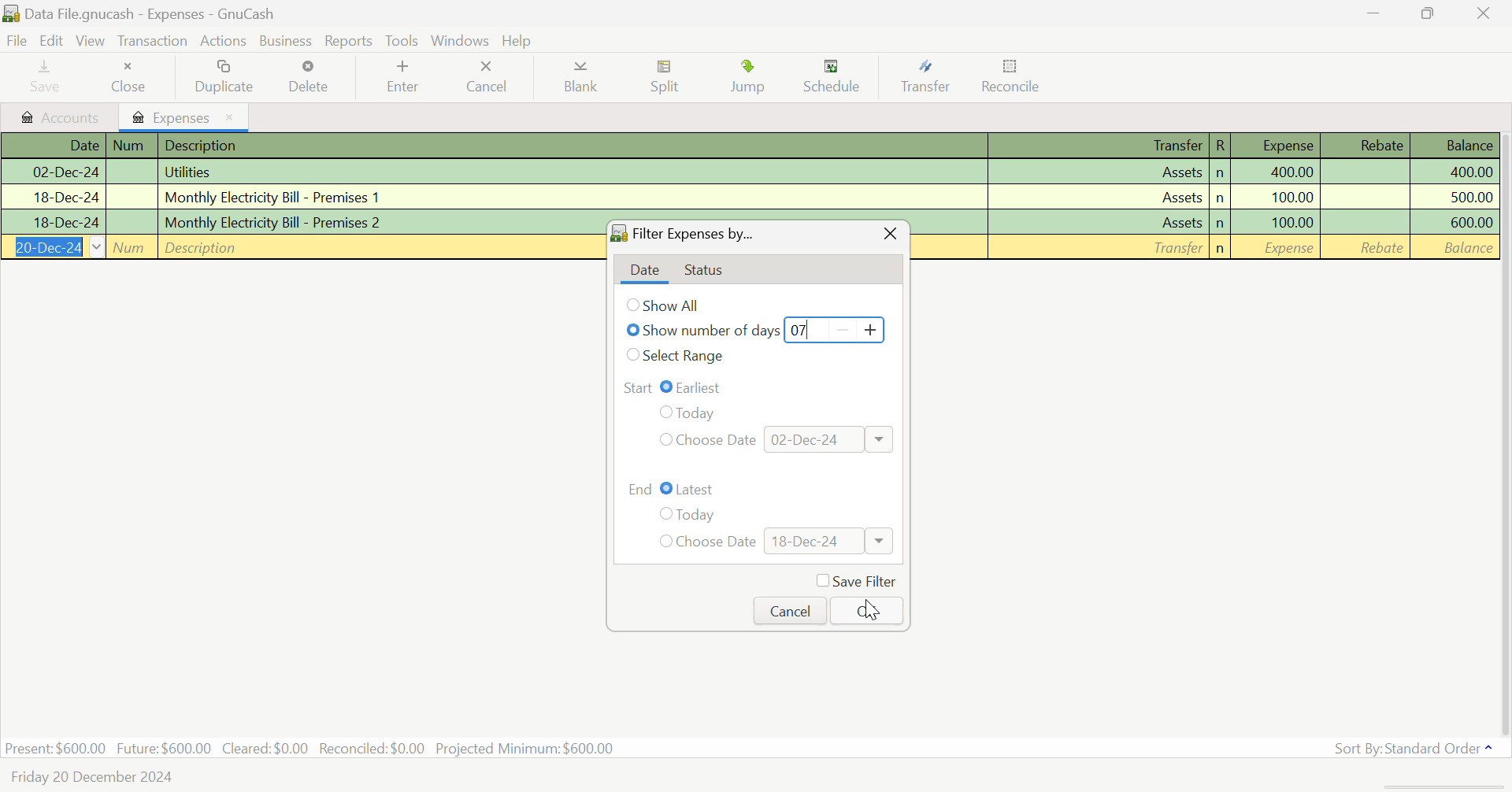 This screenshot has width=1512, height=792. What do you see at coordinates (150, 41) in the screenshot?
I see `Transaction` at bounding box center [150, 41].